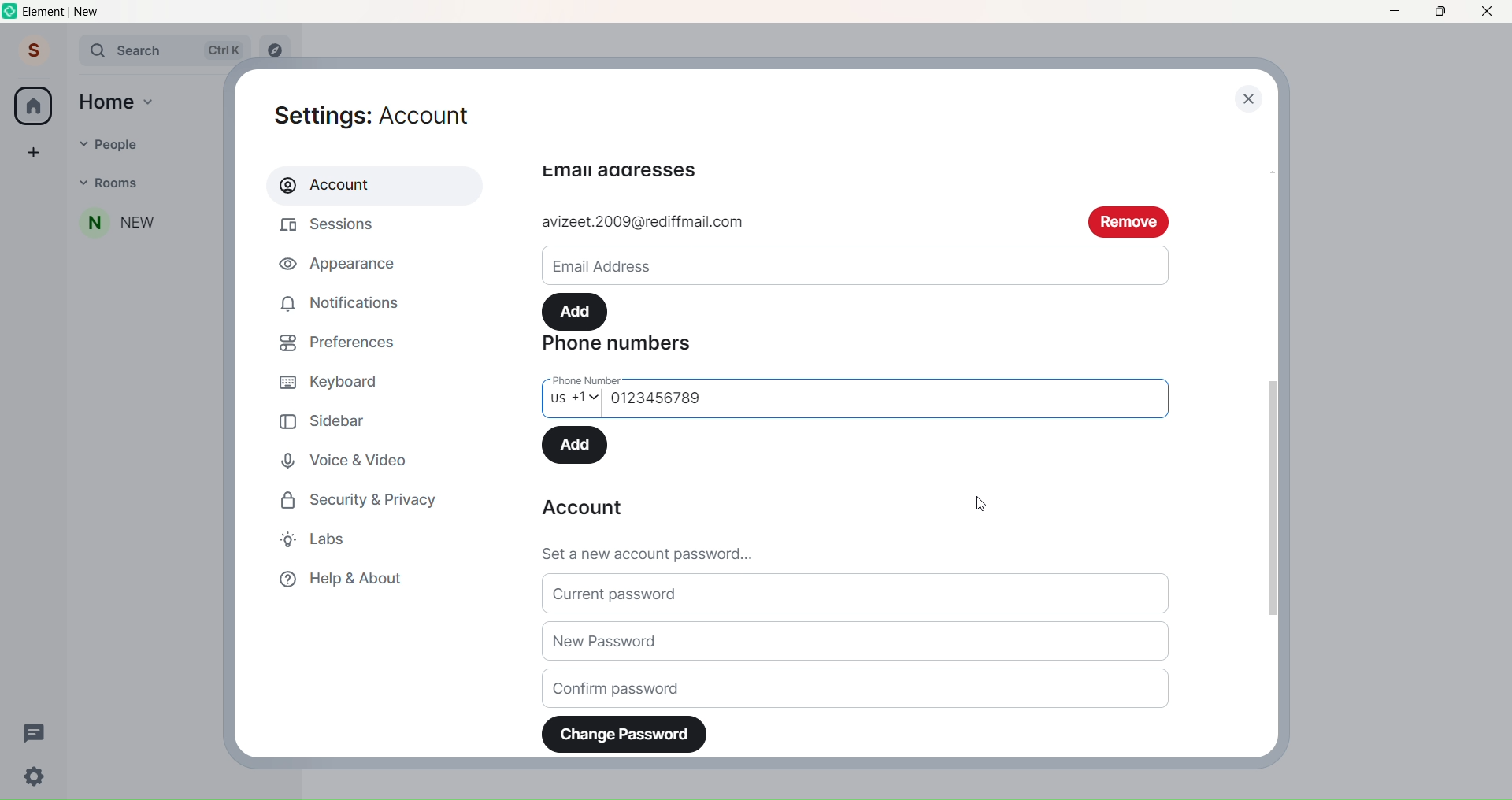  I want to click on Phone Numbers, so click(624, 347).